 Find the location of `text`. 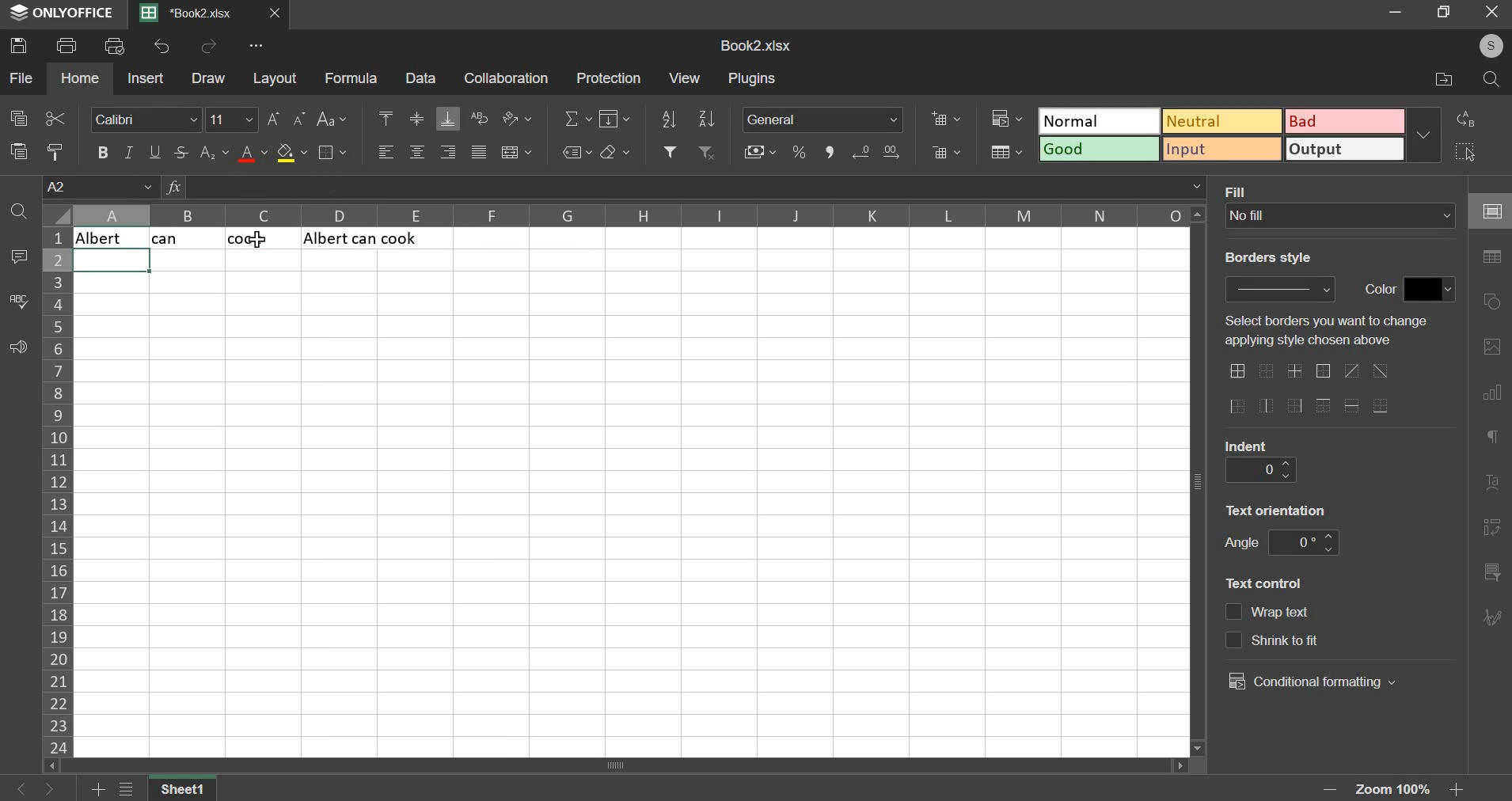

text is located at coordinates (1247, 443).